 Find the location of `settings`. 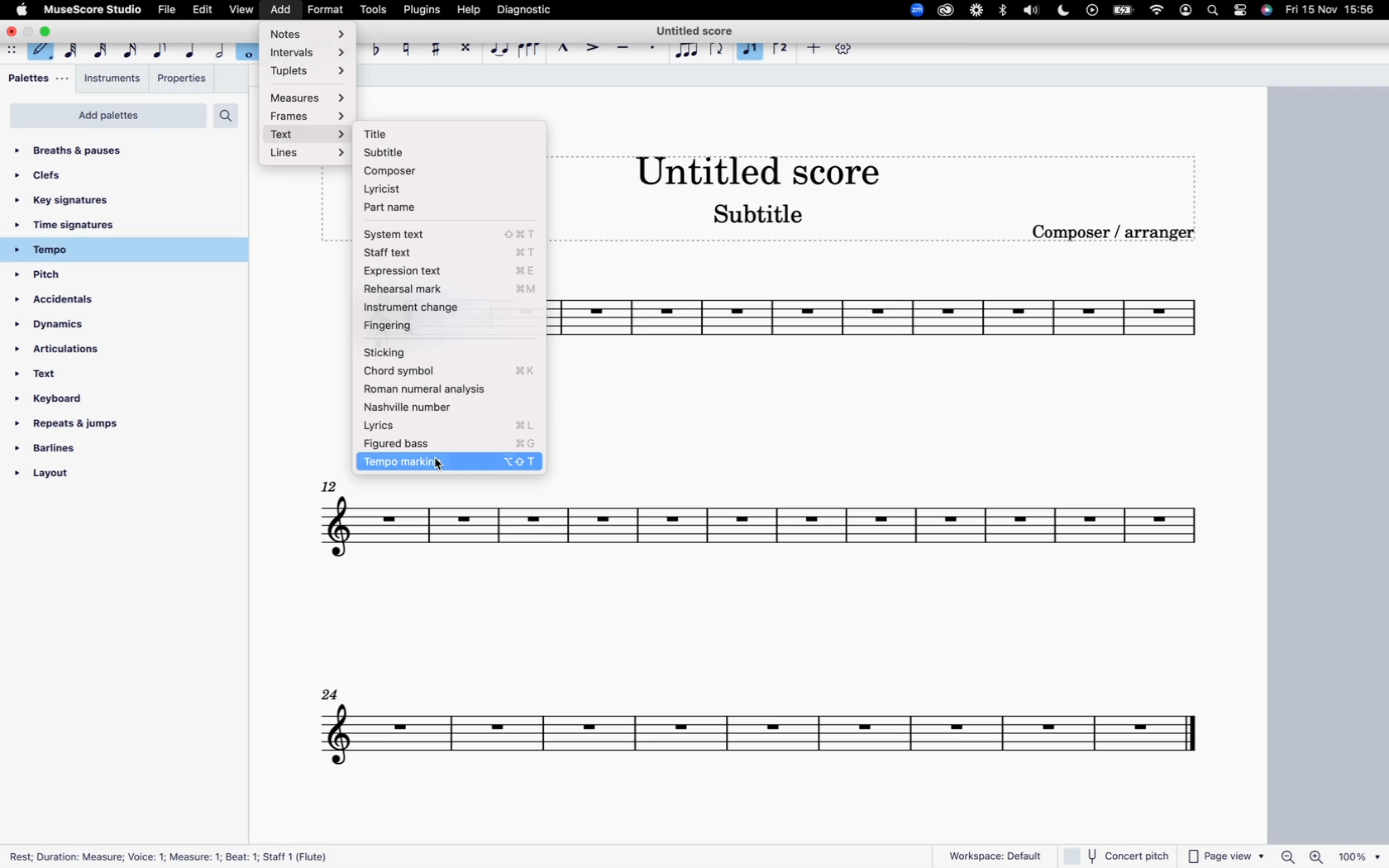

settings is located at coordinates (1242, 12).